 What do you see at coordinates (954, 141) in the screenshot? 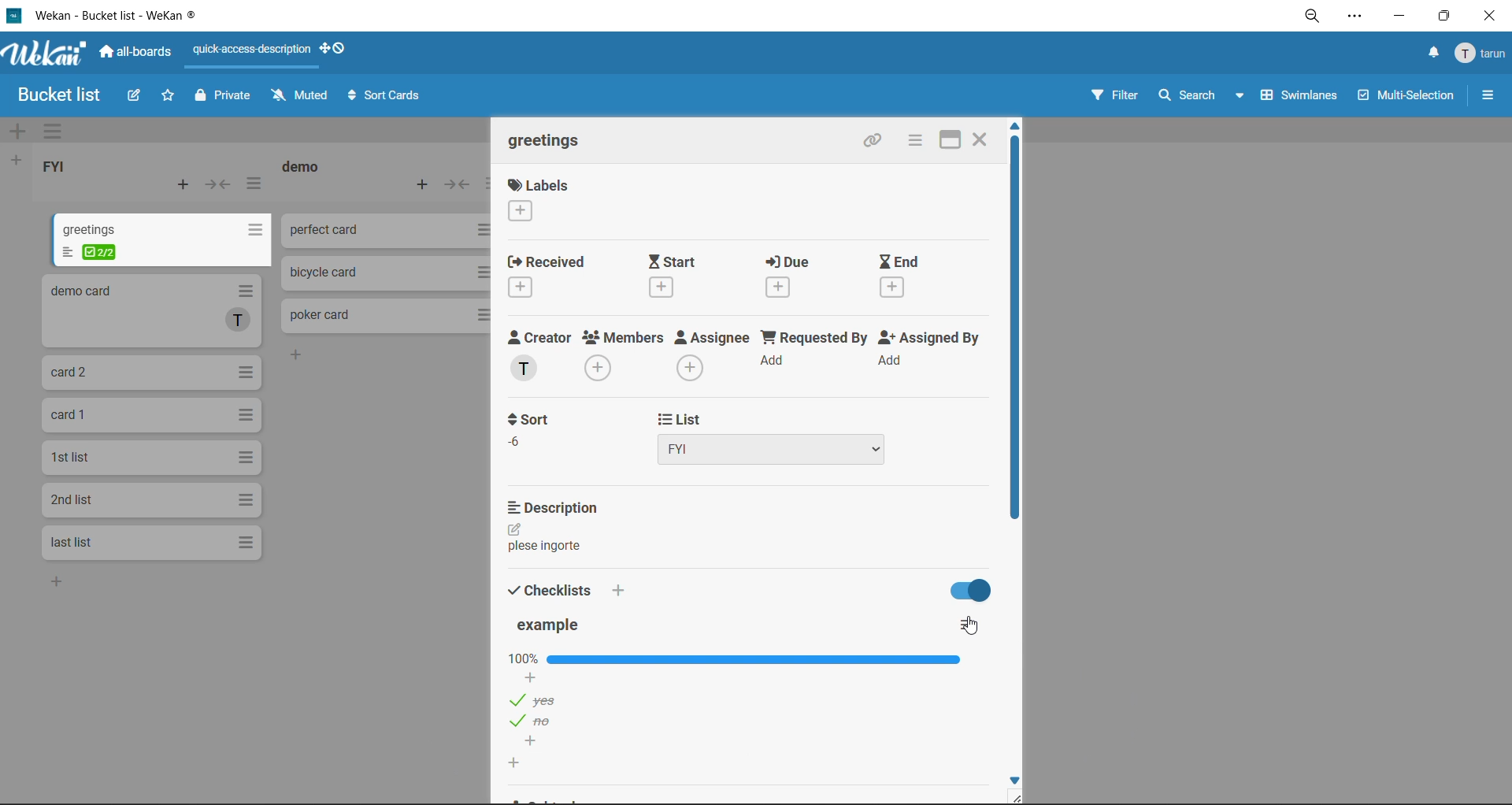
I see `maximize` at bounding box center [954, 141].